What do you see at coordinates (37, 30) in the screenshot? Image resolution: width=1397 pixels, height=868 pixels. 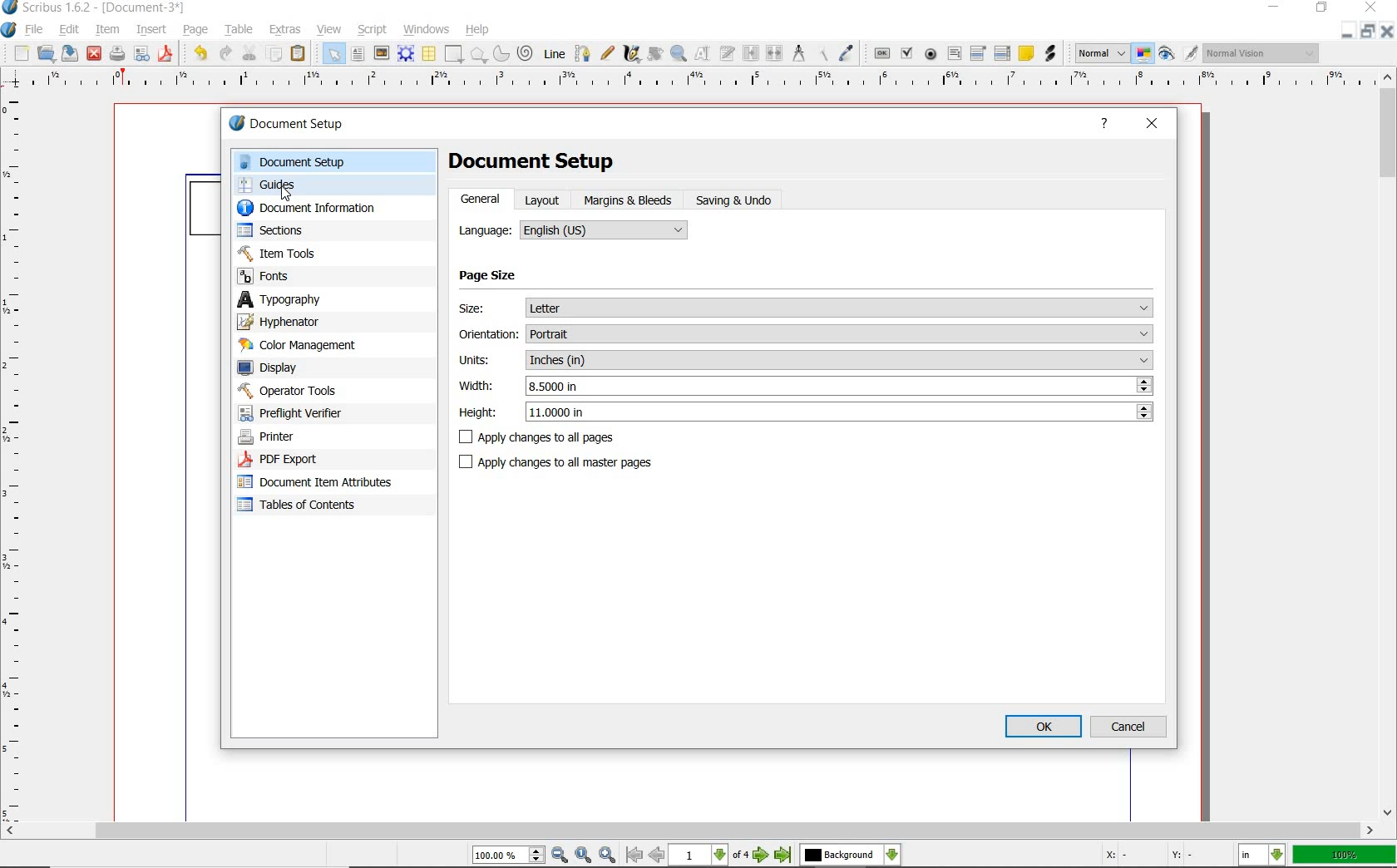 I see `file` at bounding box center [37, 30].